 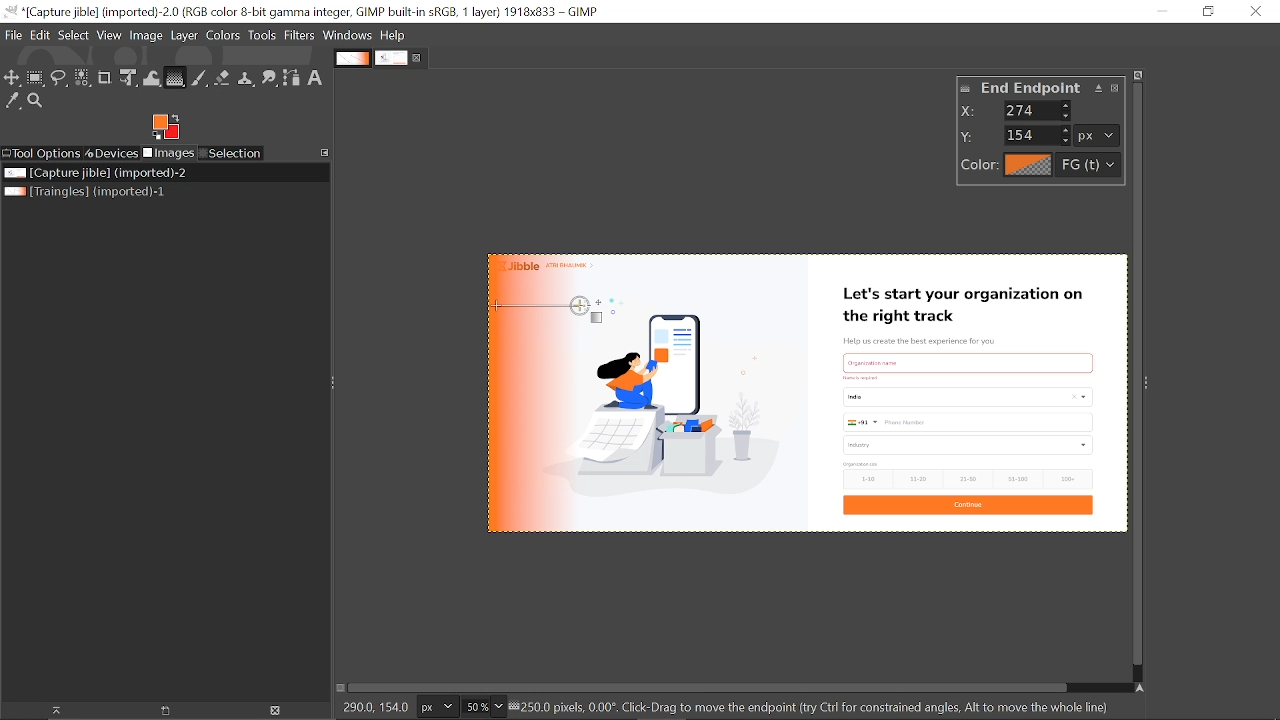 I want to click on Help, so click(x=394, y=35).